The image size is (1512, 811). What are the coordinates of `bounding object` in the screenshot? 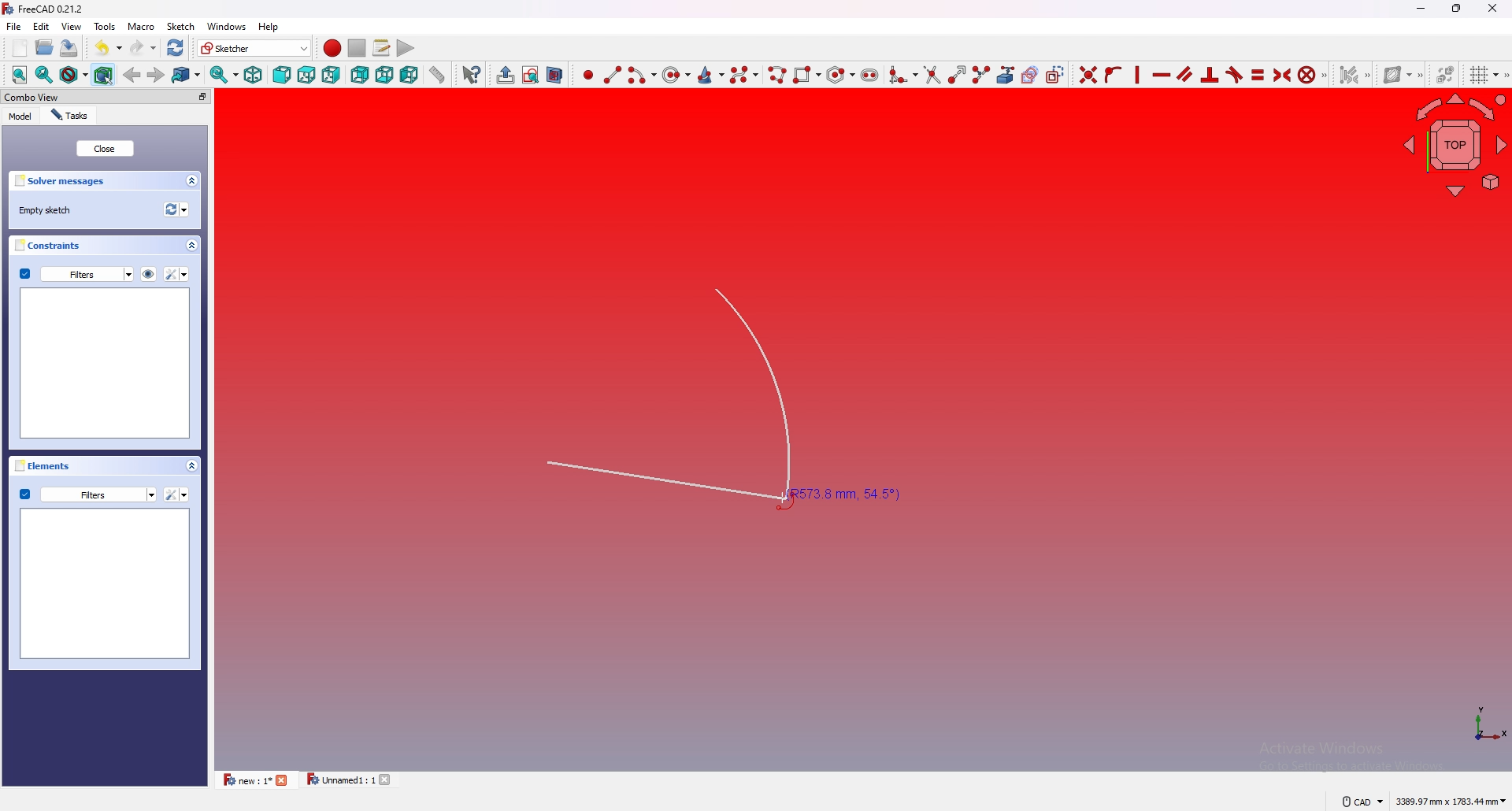 It's located at (104, 73).